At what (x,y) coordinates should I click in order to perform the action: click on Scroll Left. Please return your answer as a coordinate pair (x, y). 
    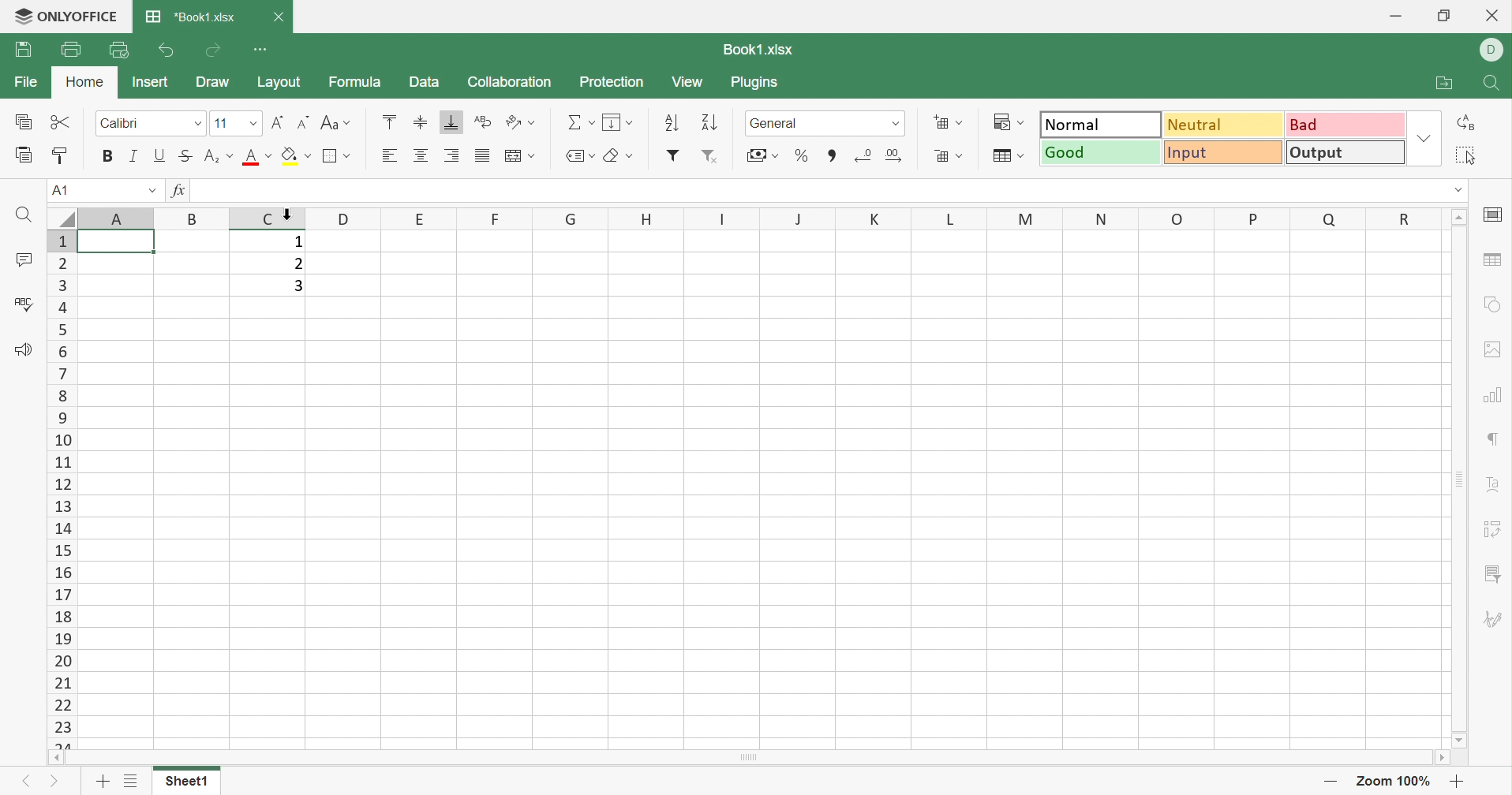
    Looking at the image, I should click on (56, 757).